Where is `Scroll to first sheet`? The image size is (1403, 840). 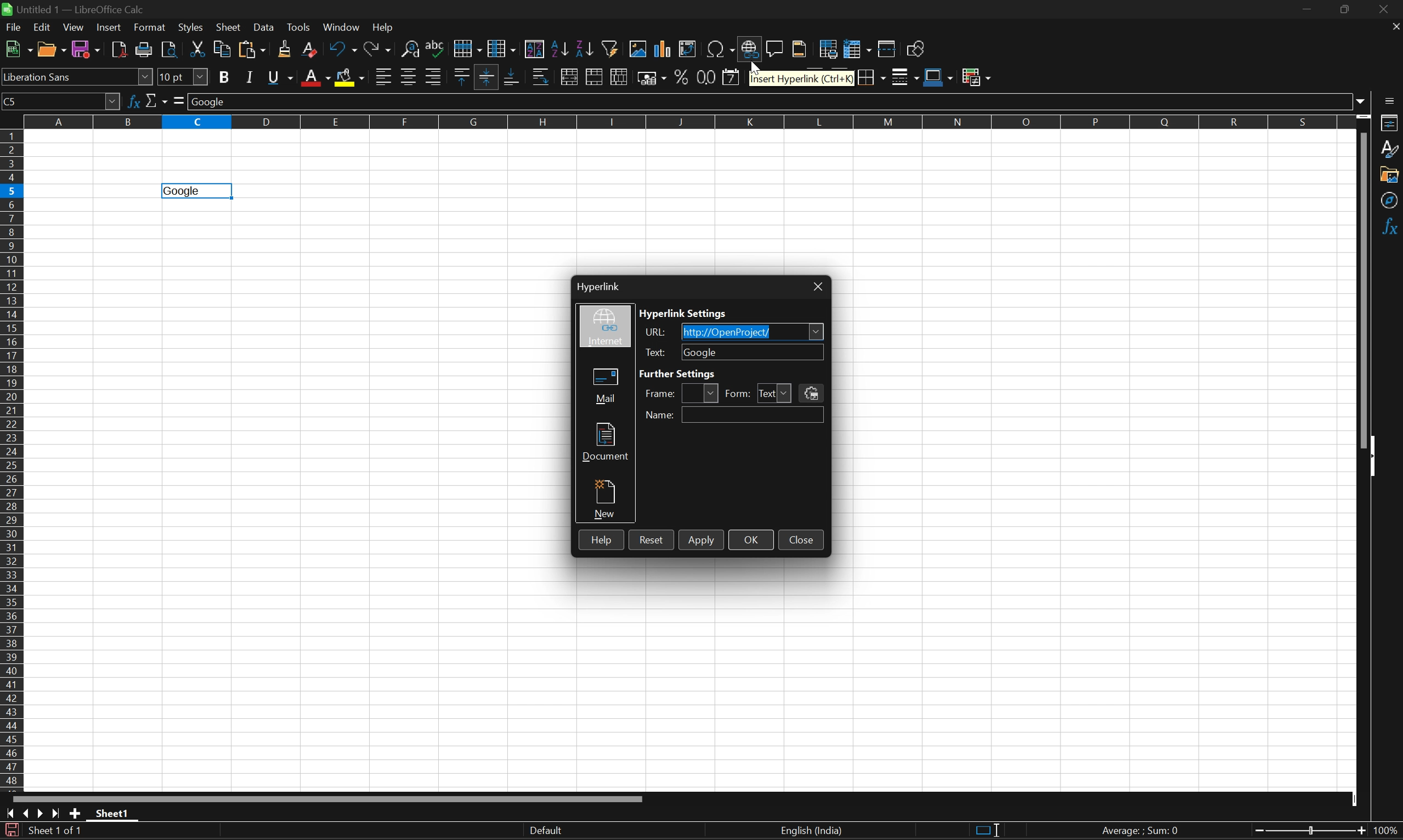
Scroll to first sheet is located at coordinates (10, 815).